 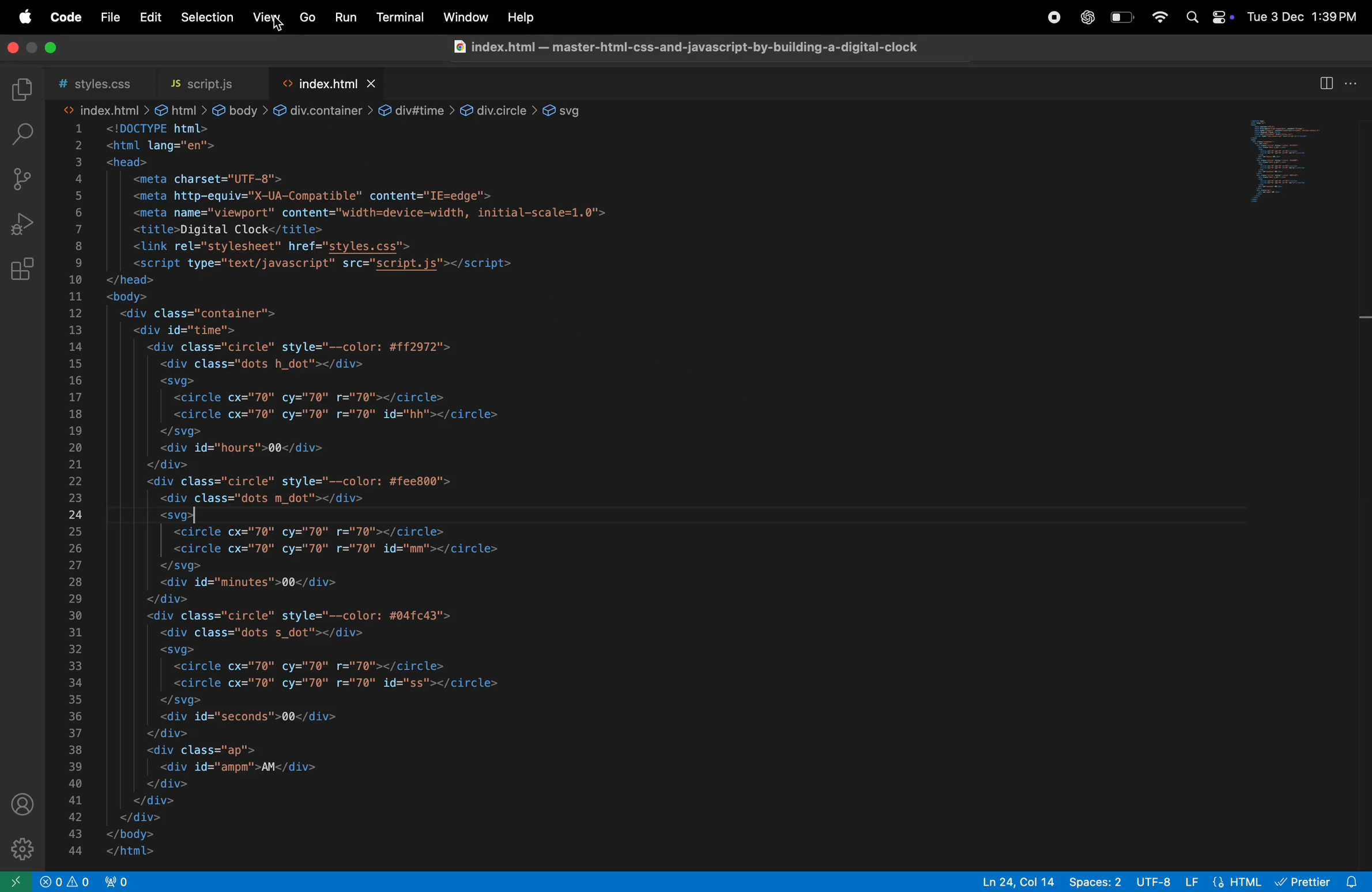 What do you see at coordinates (103, 80) in the screenshot?
I see `style .css` at bounding box center [103, 80].